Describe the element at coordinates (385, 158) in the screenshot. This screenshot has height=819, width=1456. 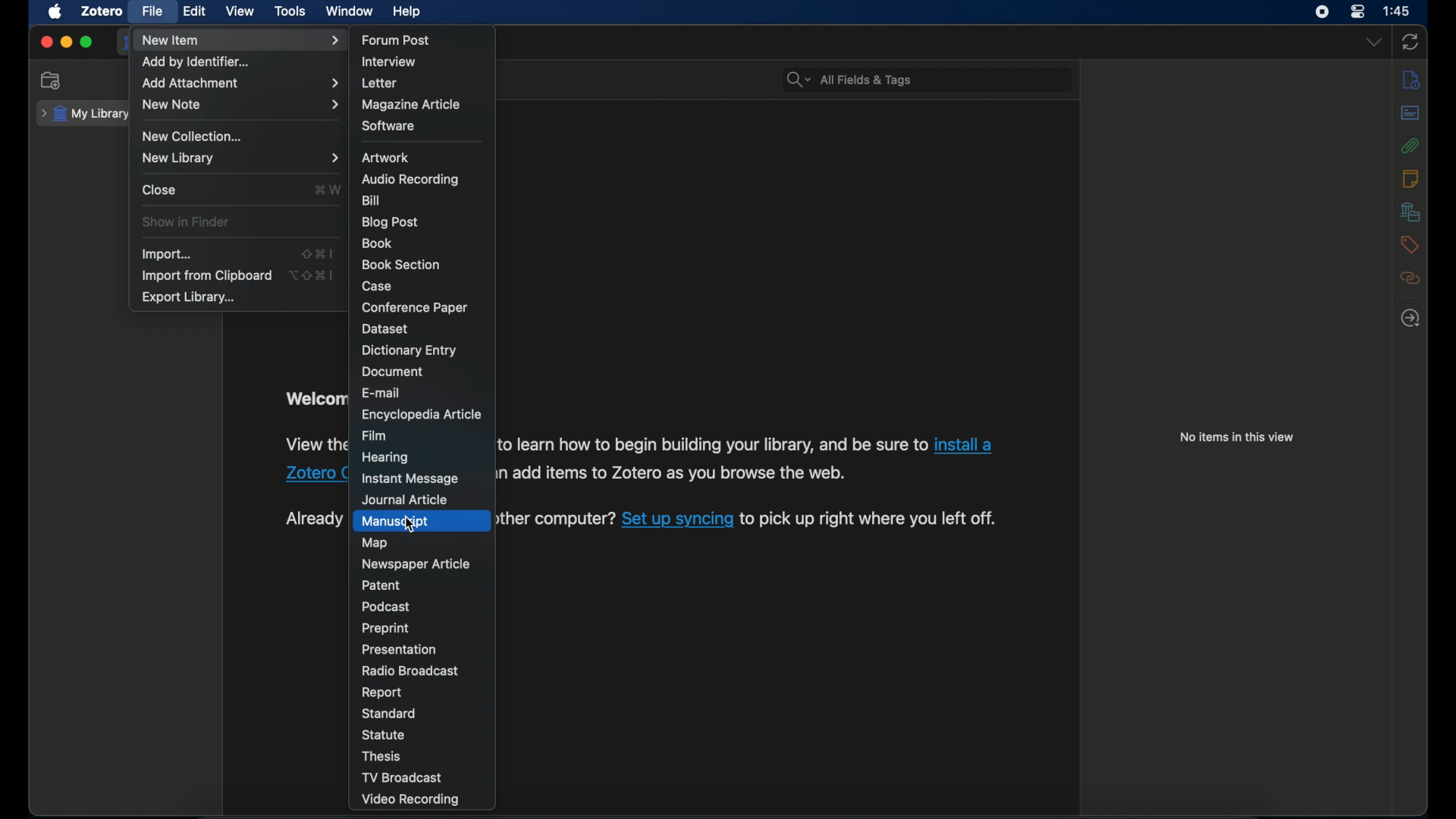
I see `artwork` at that location.